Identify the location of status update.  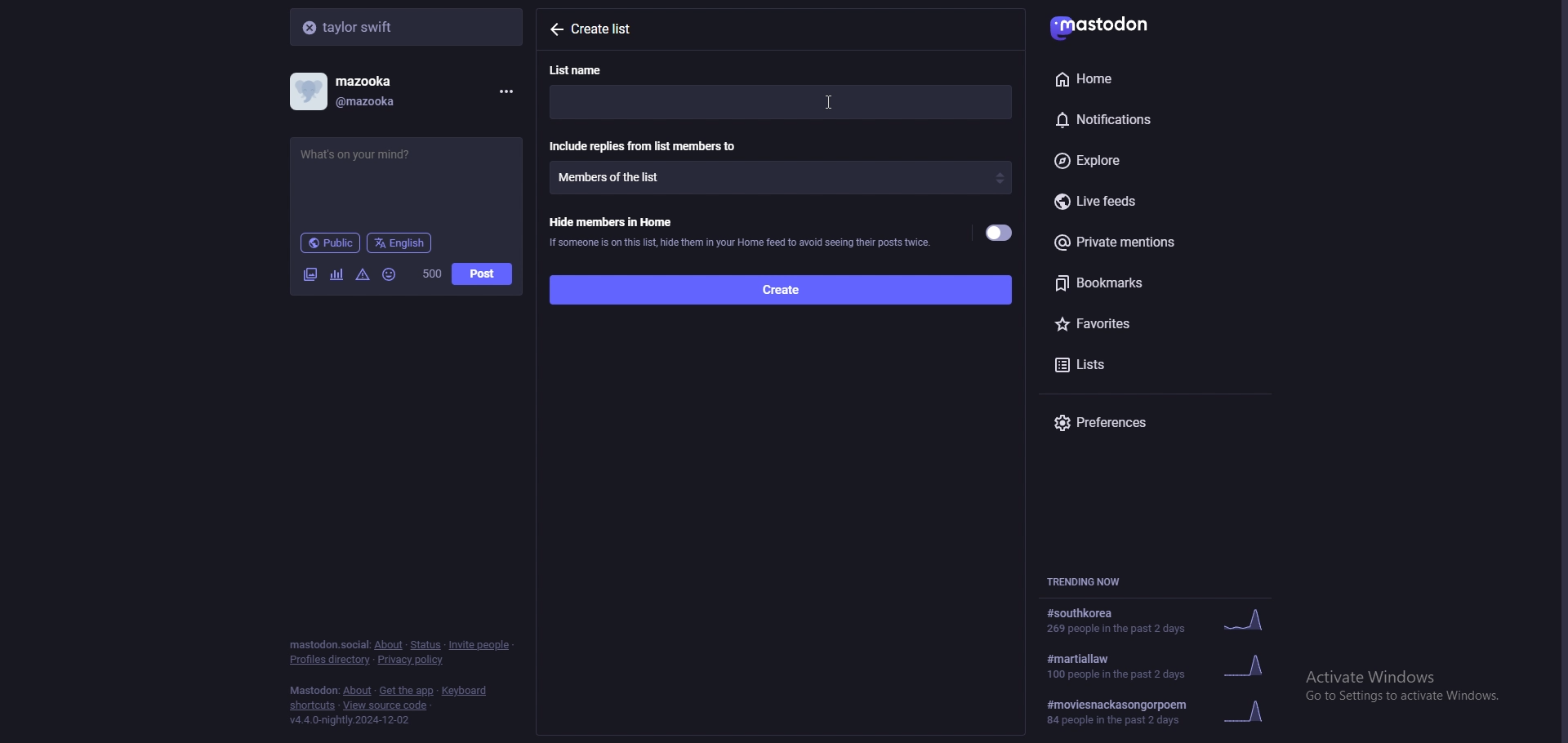
(370, 154).